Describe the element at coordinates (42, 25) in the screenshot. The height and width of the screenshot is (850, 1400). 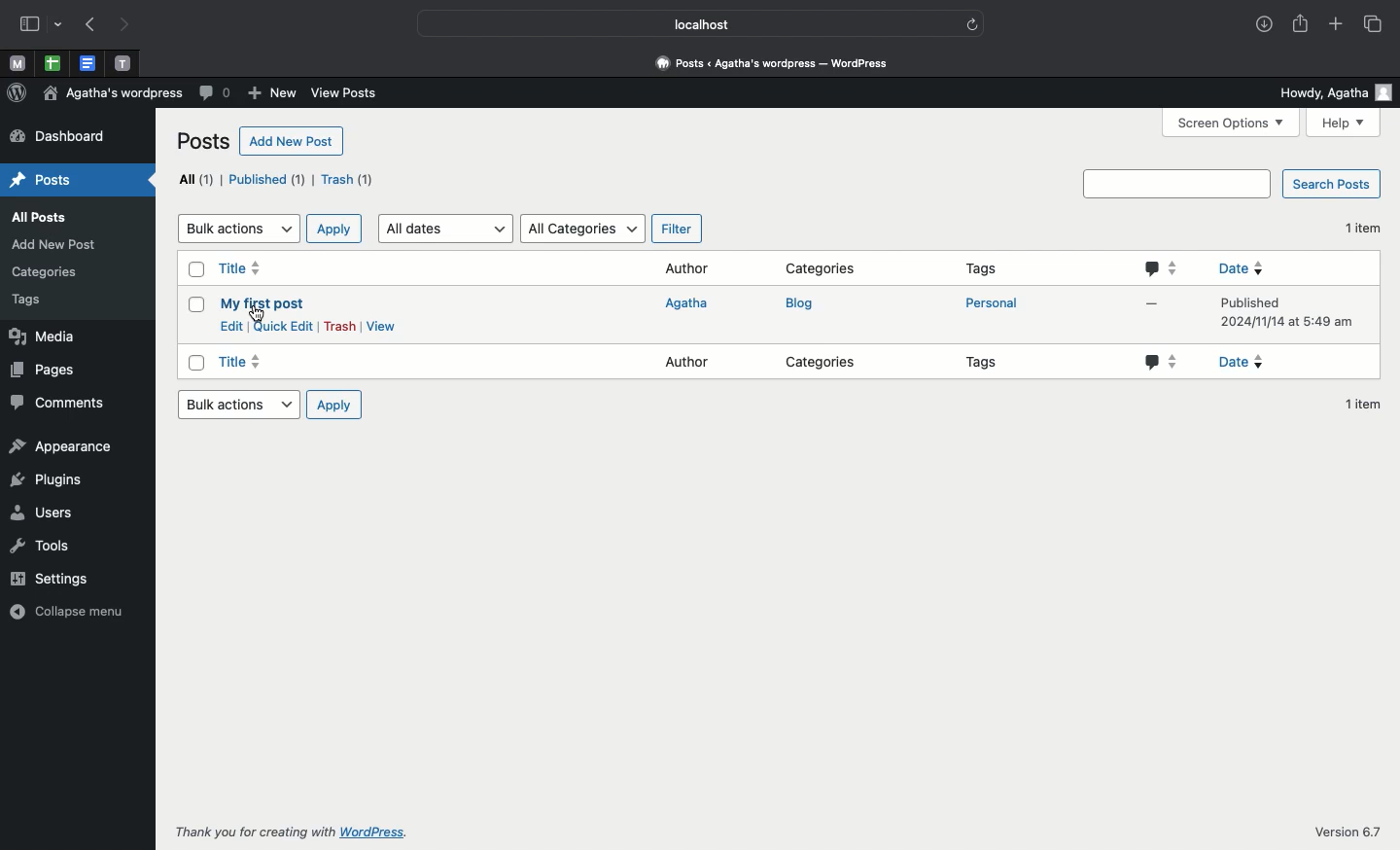
I see `Sidebar` at that location.